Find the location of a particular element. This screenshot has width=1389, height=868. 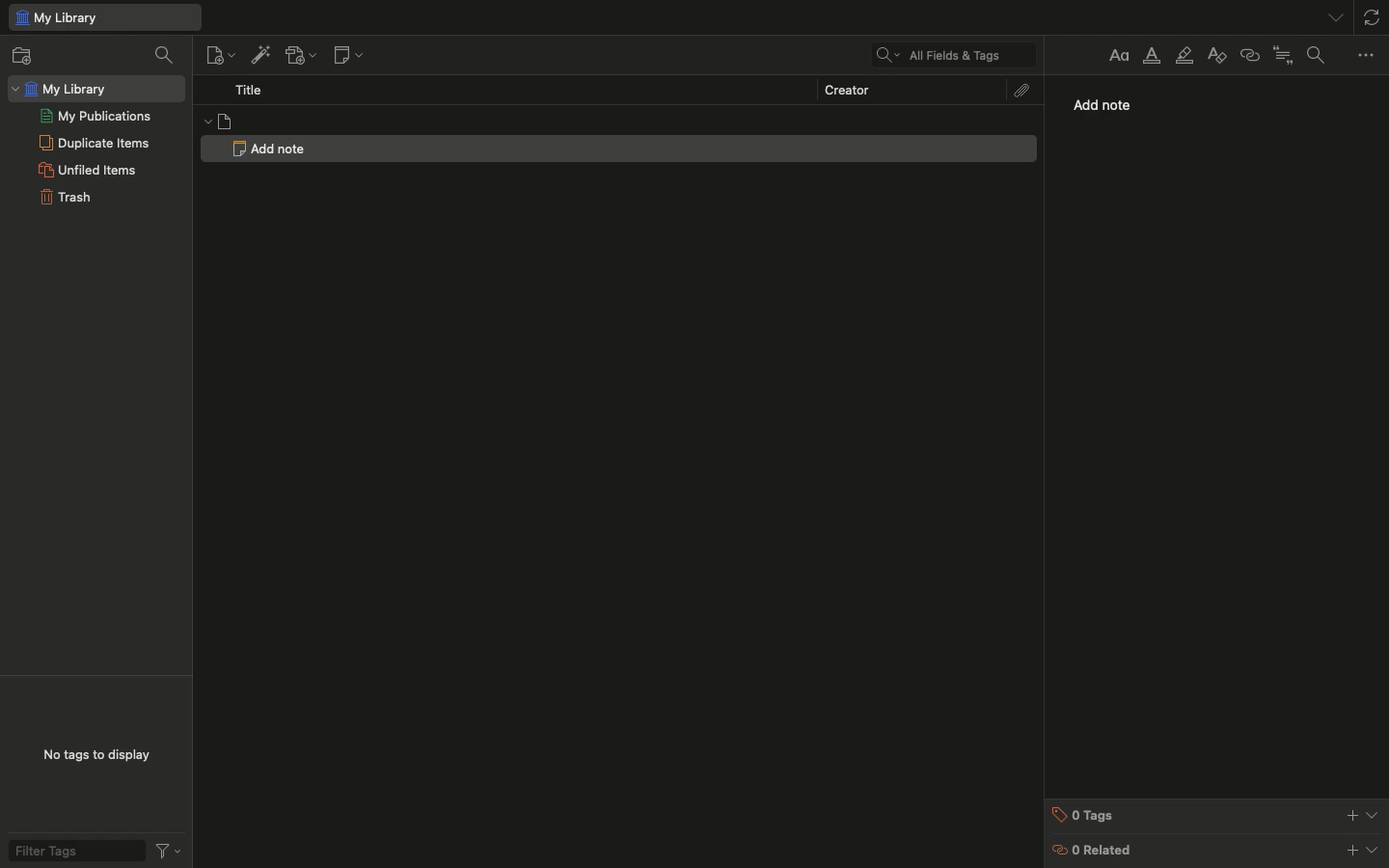

Filter collections is located at coordinates (164, 56).